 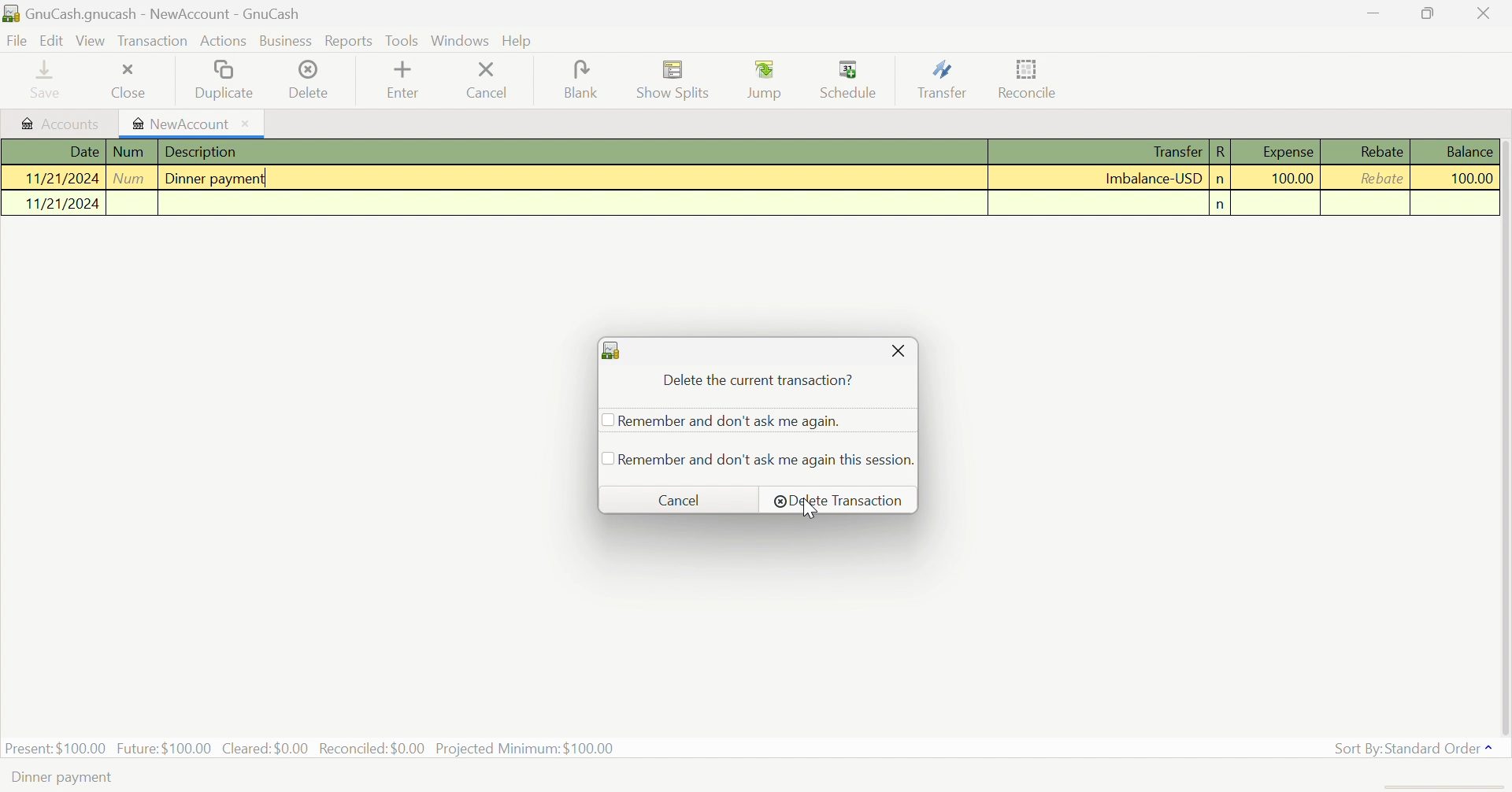 I want to click on Delete Transaction, so click(x=839, y=500).